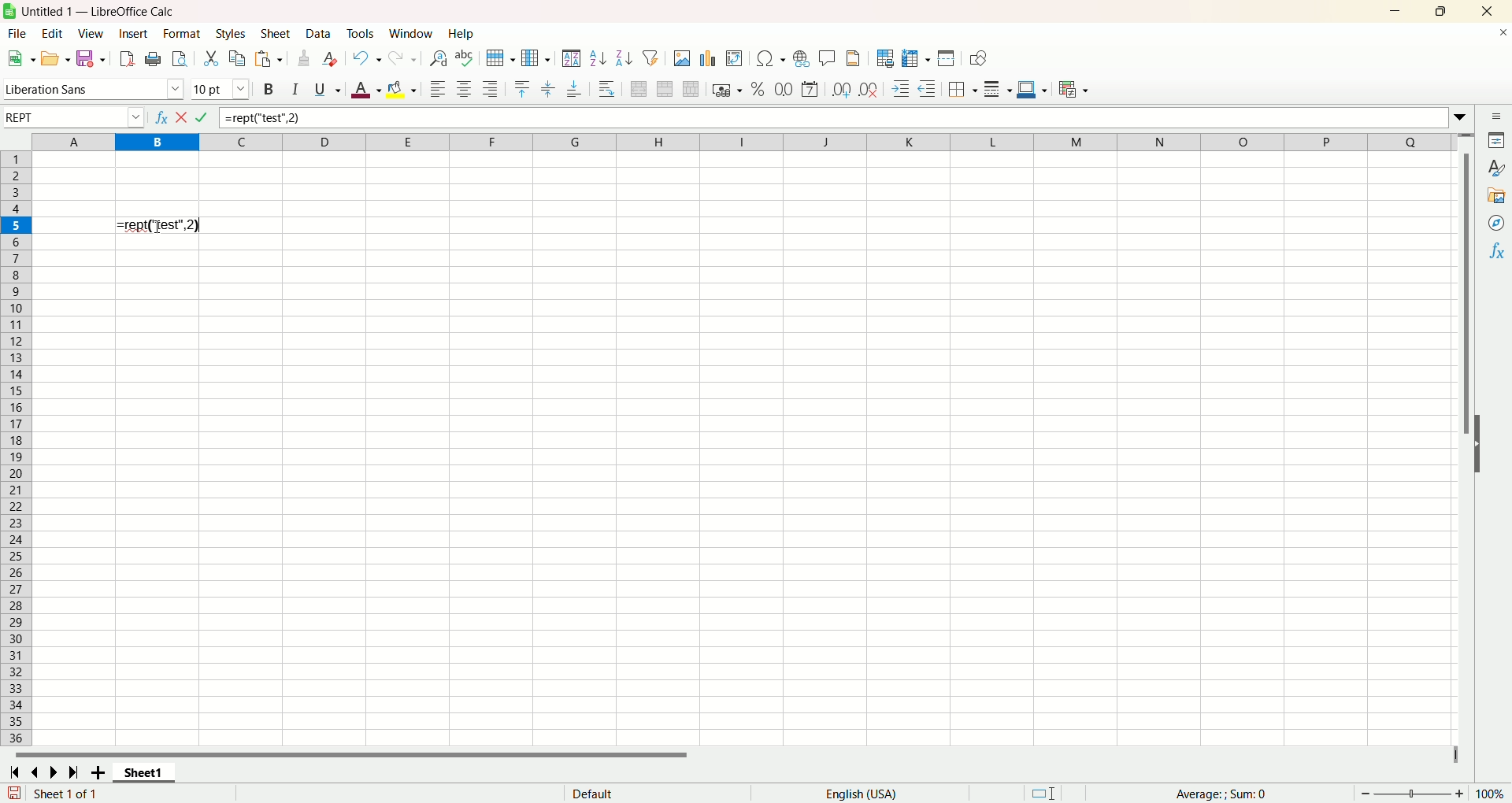 The width and height of the screenshot is (1512, 803). Describe the element at coordinates (856, 58) in the screenshot. I see `headers and footers` at that location.